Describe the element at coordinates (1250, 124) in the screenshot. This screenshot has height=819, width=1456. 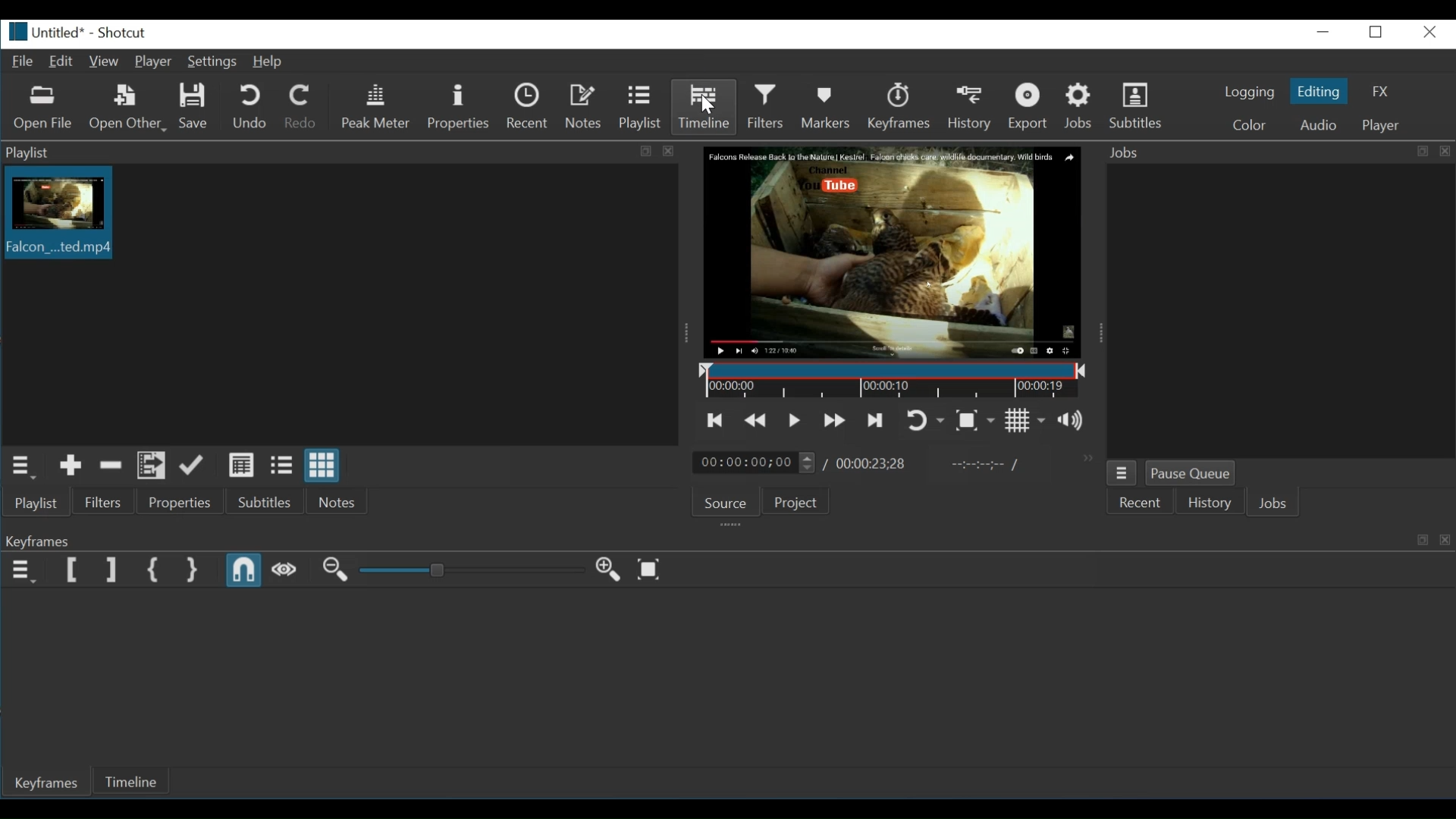
I see `Color` at that location.